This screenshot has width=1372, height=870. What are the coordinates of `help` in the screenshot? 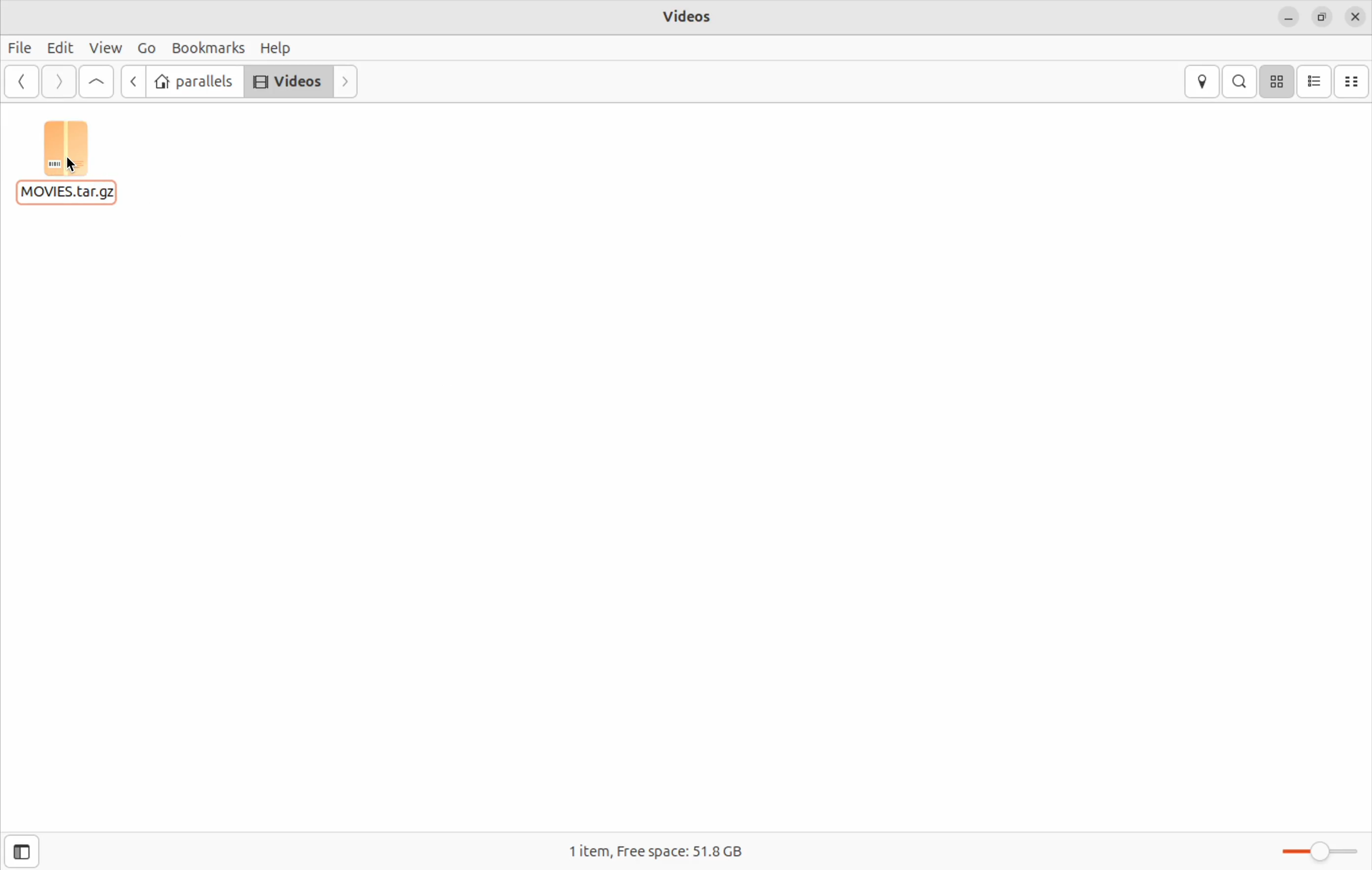 It's located at (277, 48).